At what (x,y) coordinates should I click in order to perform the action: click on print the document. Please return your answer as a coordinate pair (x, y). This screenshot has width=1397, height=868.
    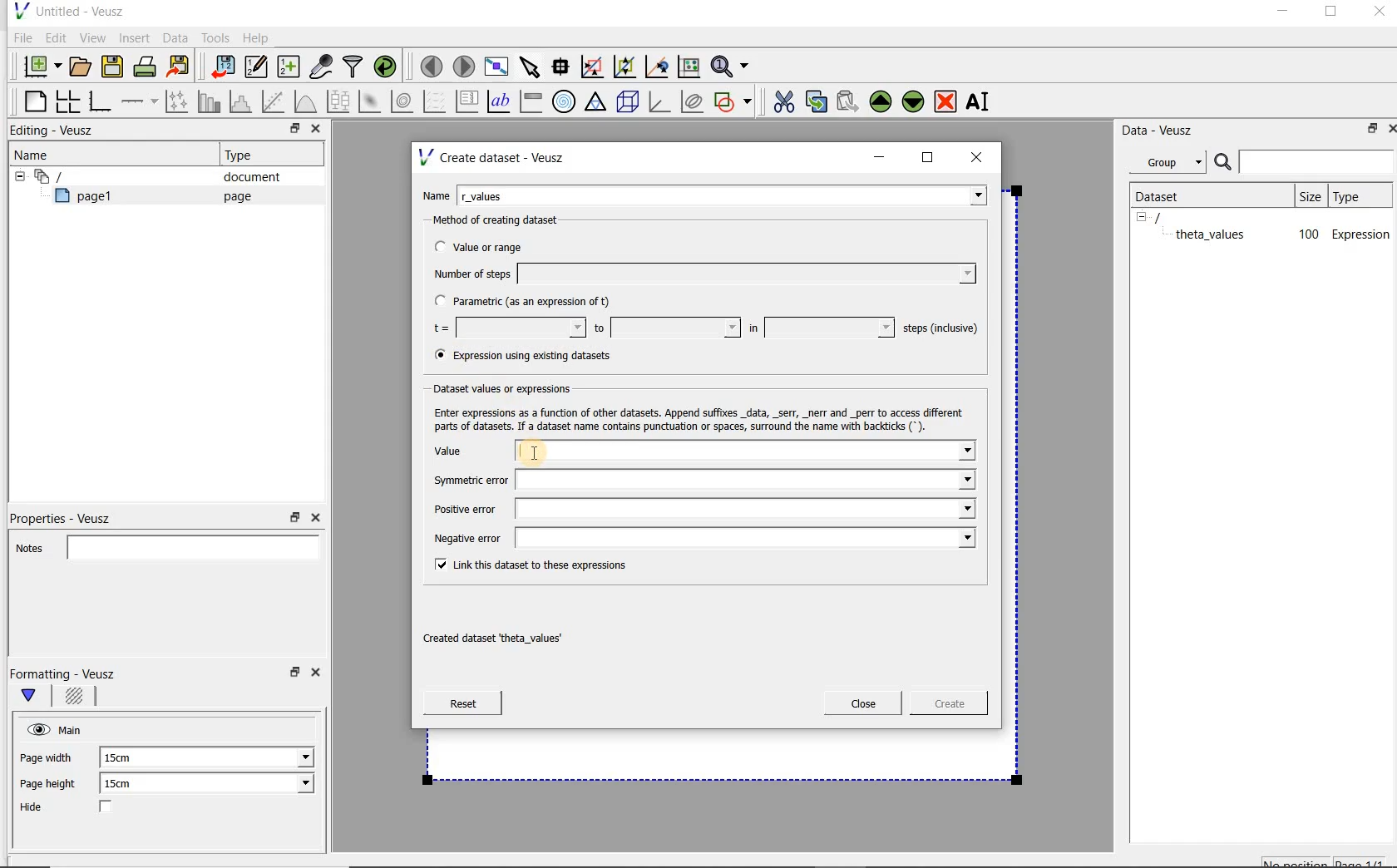
    Looking at the image, I should click on (148, 66).